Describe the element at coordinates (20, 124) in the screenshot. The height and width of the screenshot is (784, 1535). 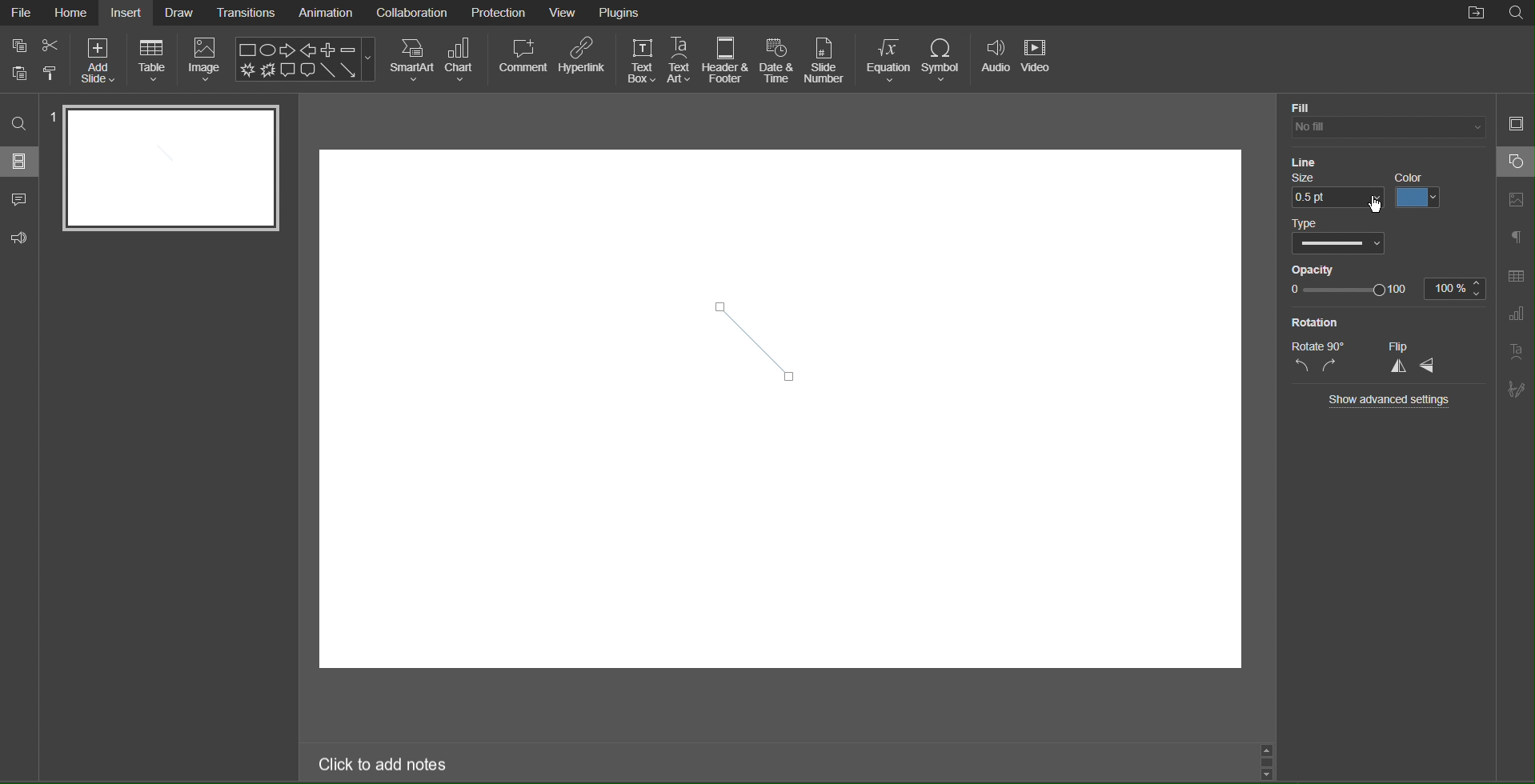
I see `Search` at that location.